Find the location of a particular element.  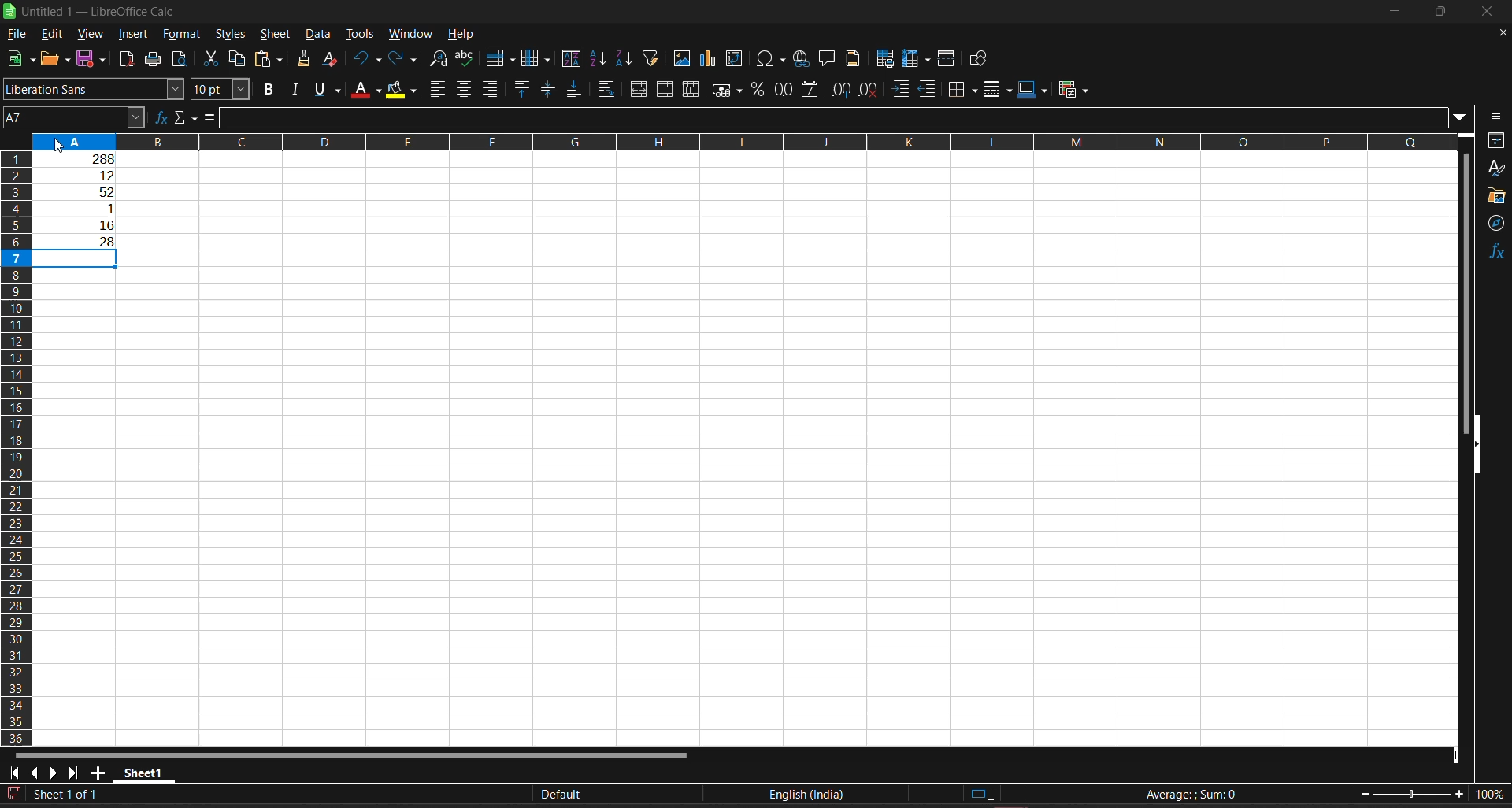

column is located at coordinates (536, 57).